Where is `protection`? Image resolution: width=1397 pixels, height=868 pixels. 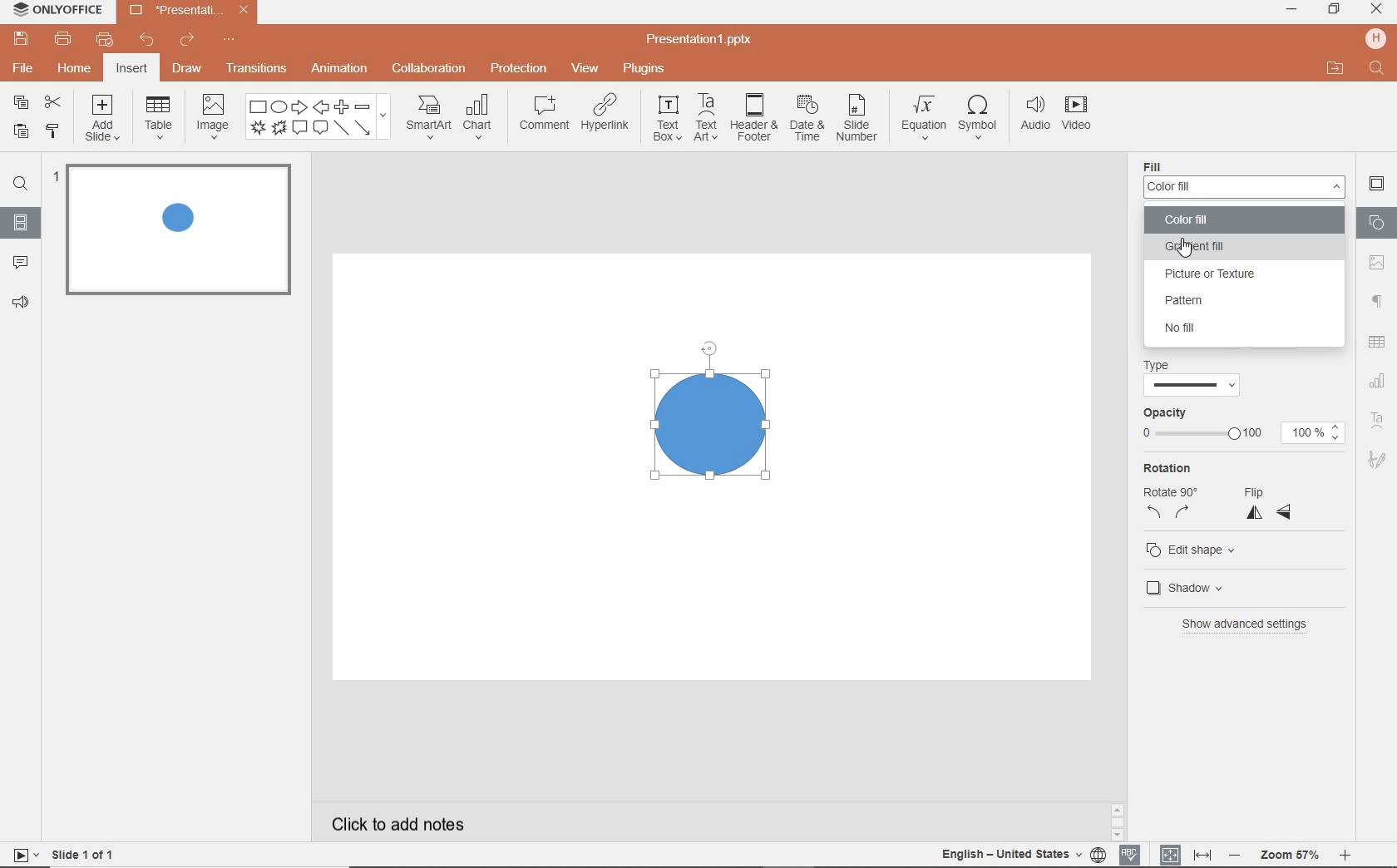
protection is located at coordinates (518, 70).